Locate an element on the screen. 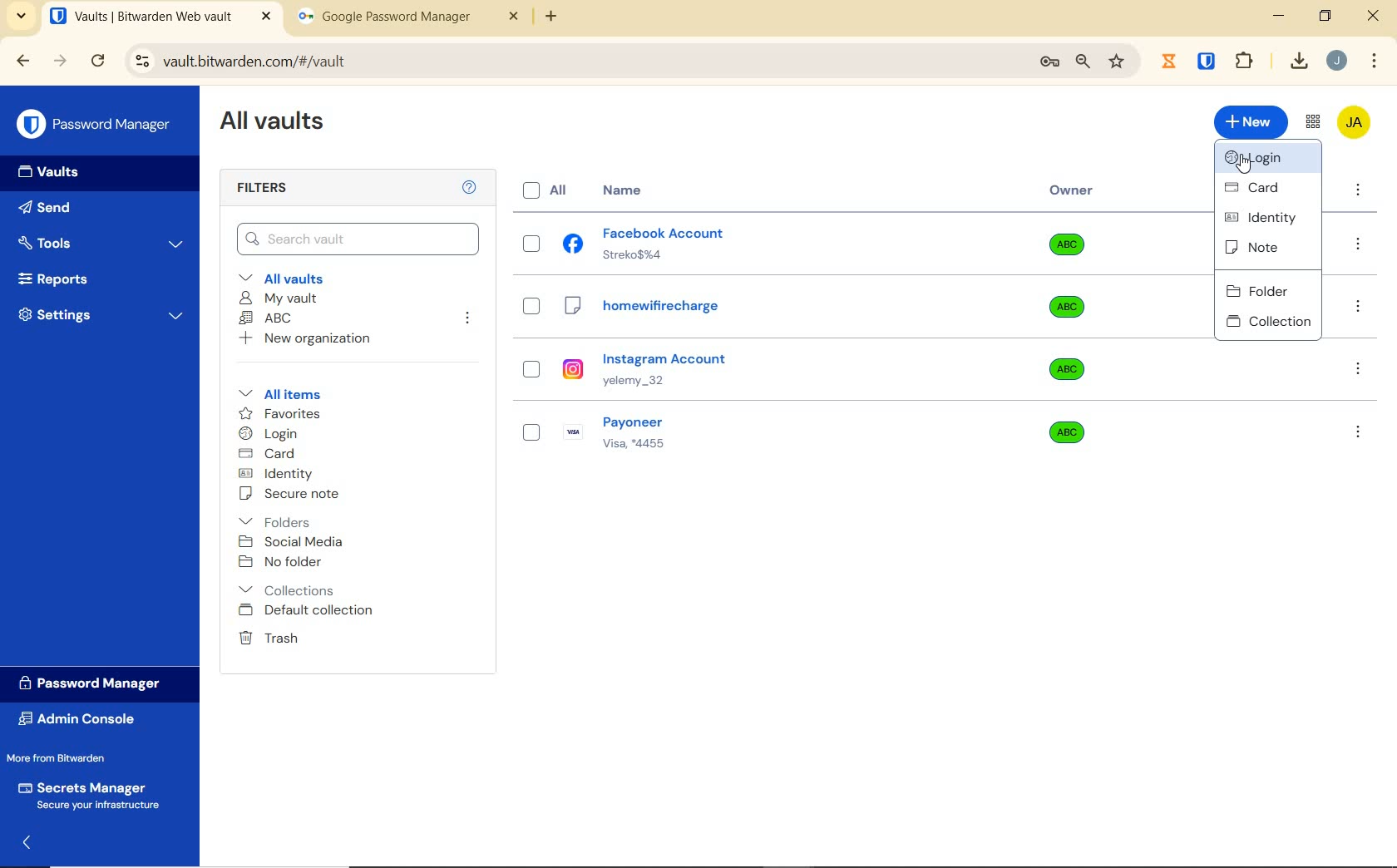 This screenshot has height=868, width=1397. identity is located at coordinates (1263, 218).